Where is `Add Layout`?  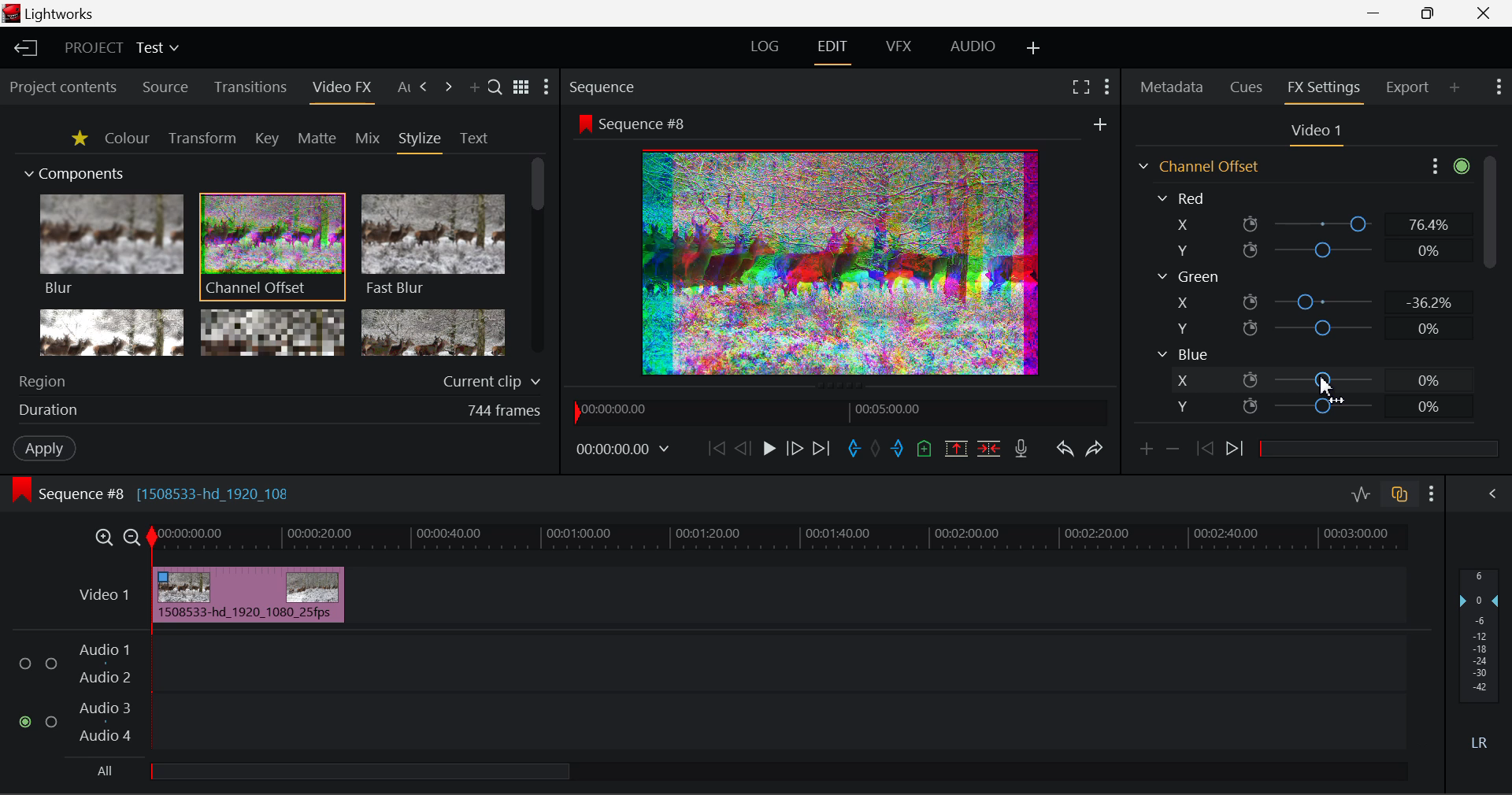 Add Layout is located at coordinates (1034, 51).